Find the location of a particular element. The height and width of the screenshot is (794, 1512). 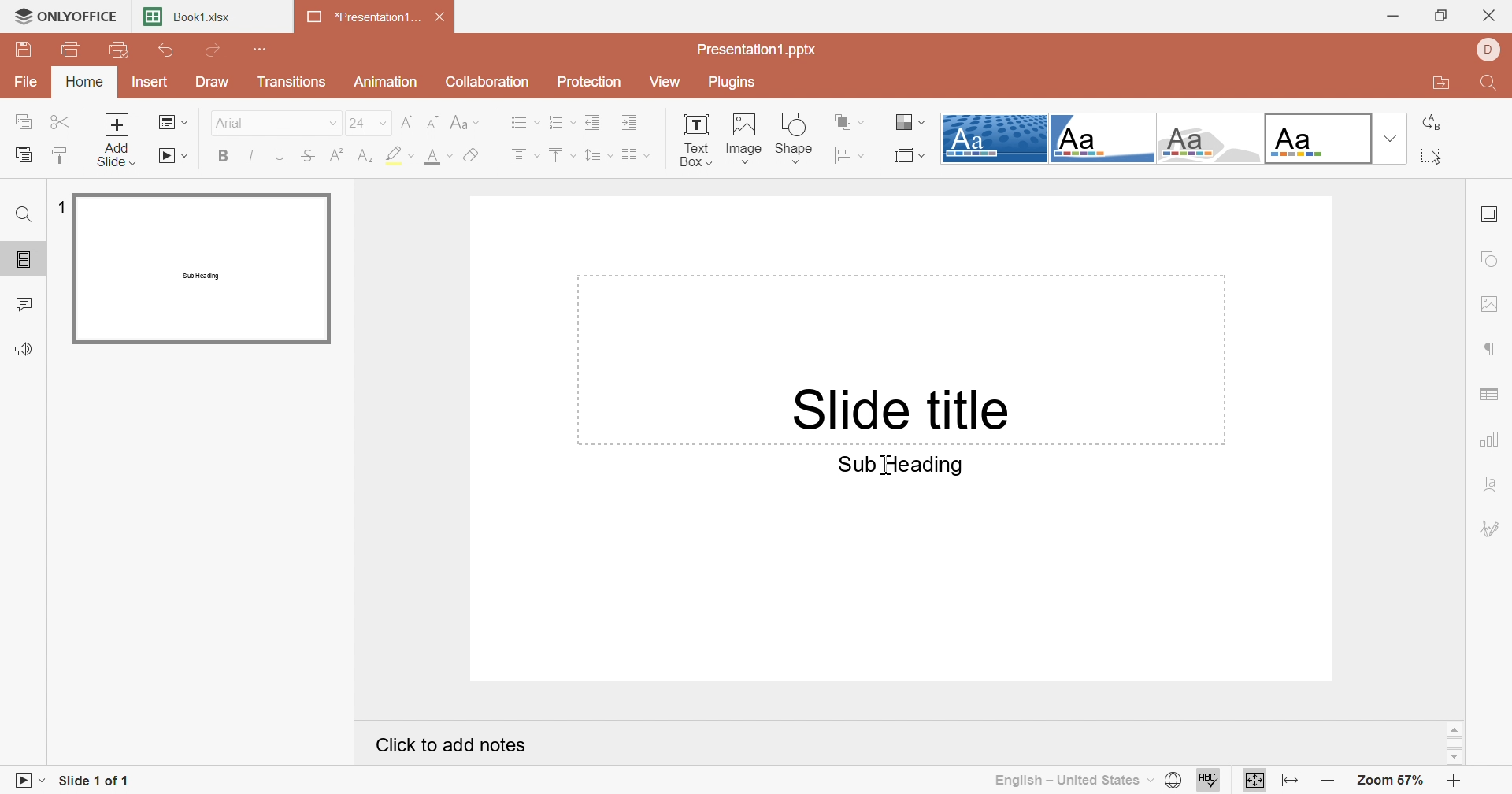

Fit to width is located at coordinates (1290, 777).